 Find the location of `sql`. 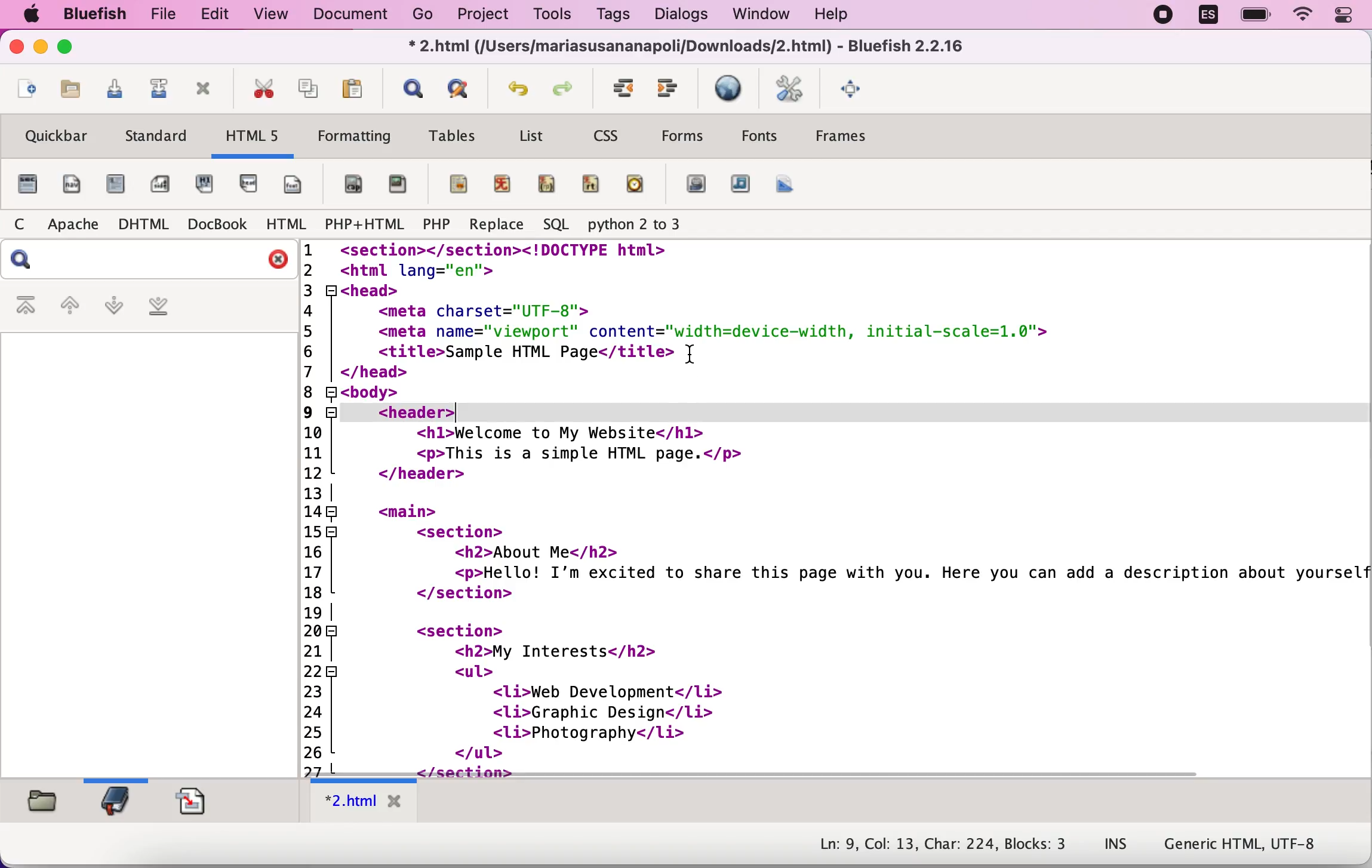

sql is located at coordinates (556, 225).